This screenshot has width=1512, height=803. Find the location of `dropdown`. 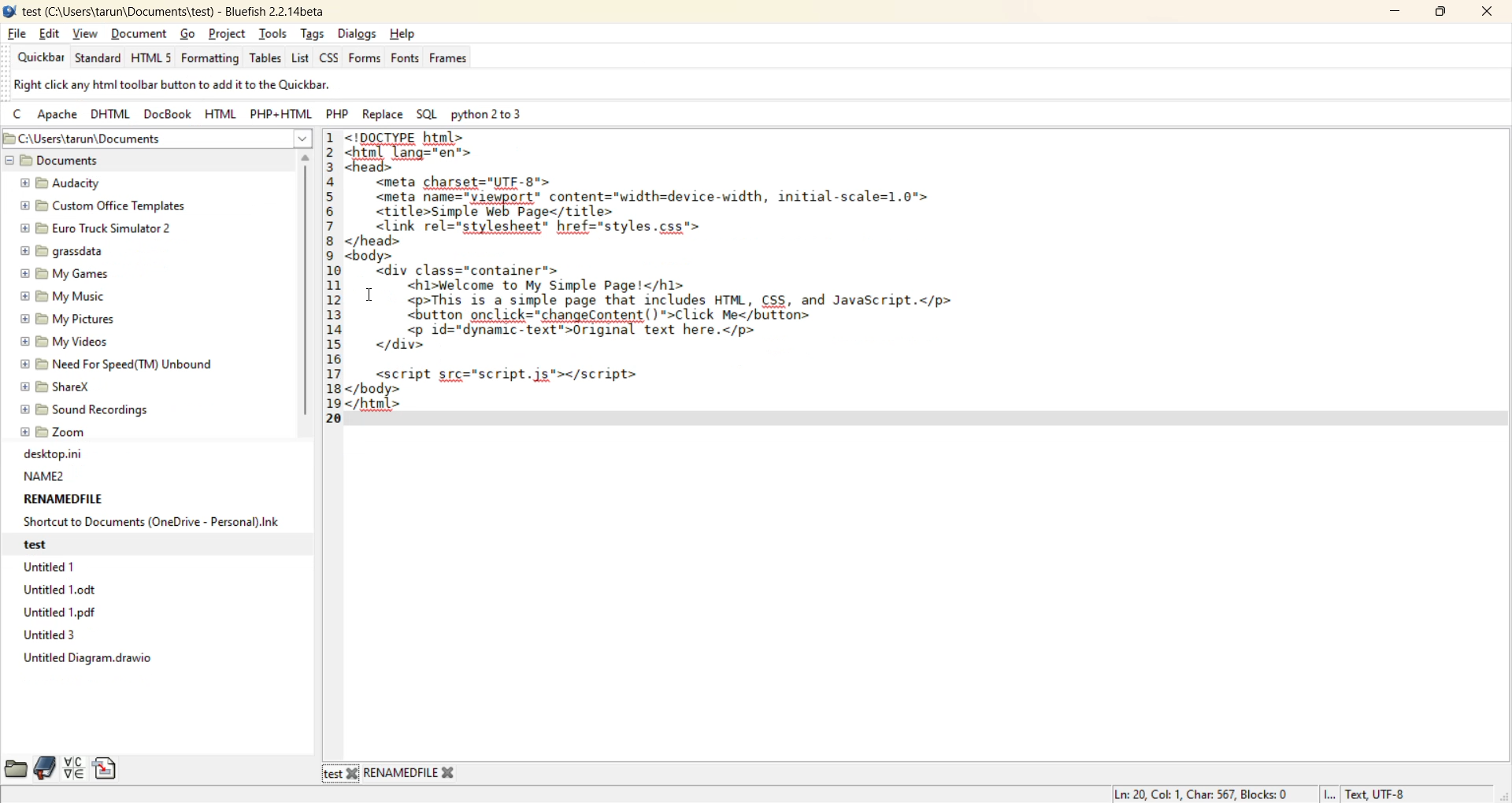

dropdown is located at coordinates (303, 139).